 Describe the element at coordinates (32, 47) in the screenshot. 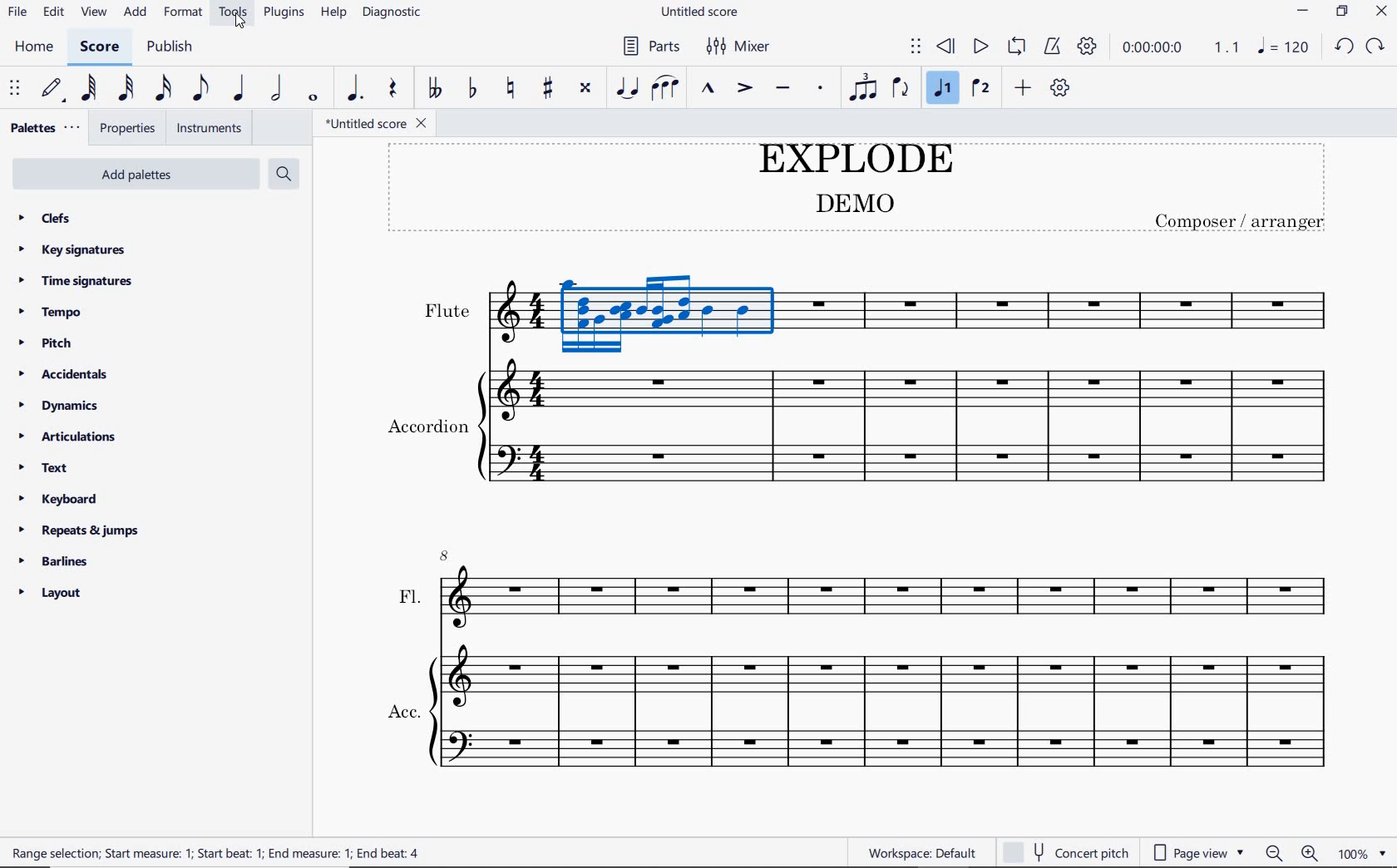

I see `home` at that location.